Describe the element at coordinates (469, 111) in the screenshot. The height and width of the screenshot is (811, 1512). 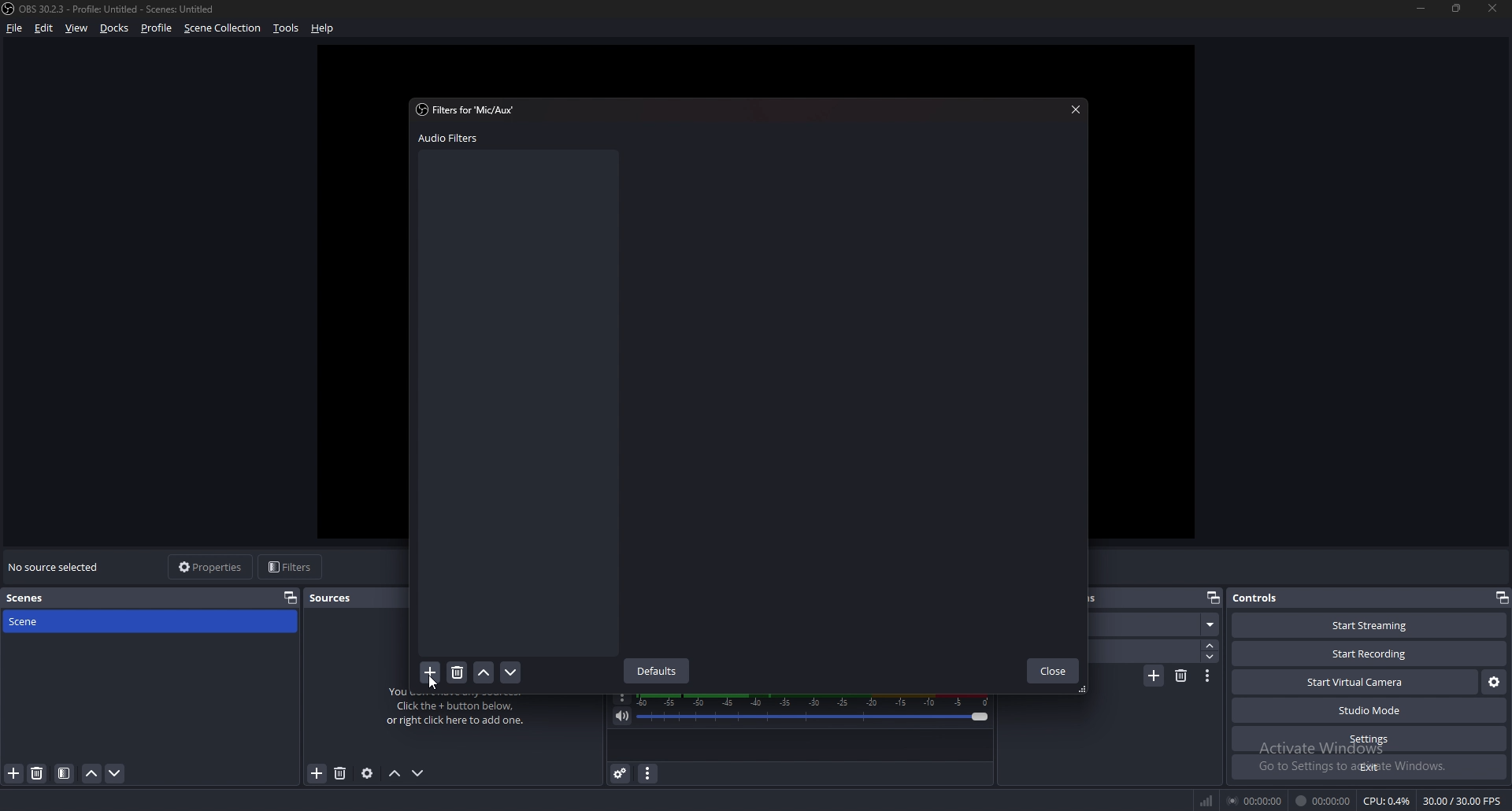
I see `filter for 'mic/aux'` at that location.